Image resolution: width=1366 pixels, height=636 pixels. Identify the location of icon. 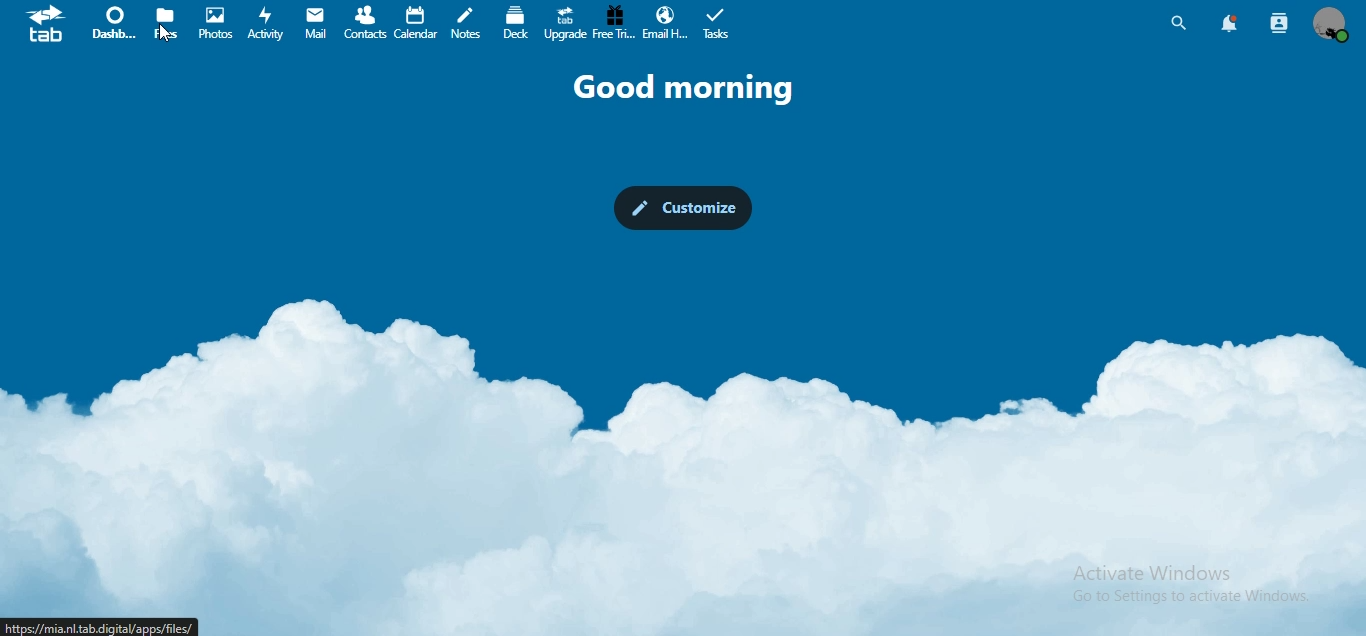
(49, 27).